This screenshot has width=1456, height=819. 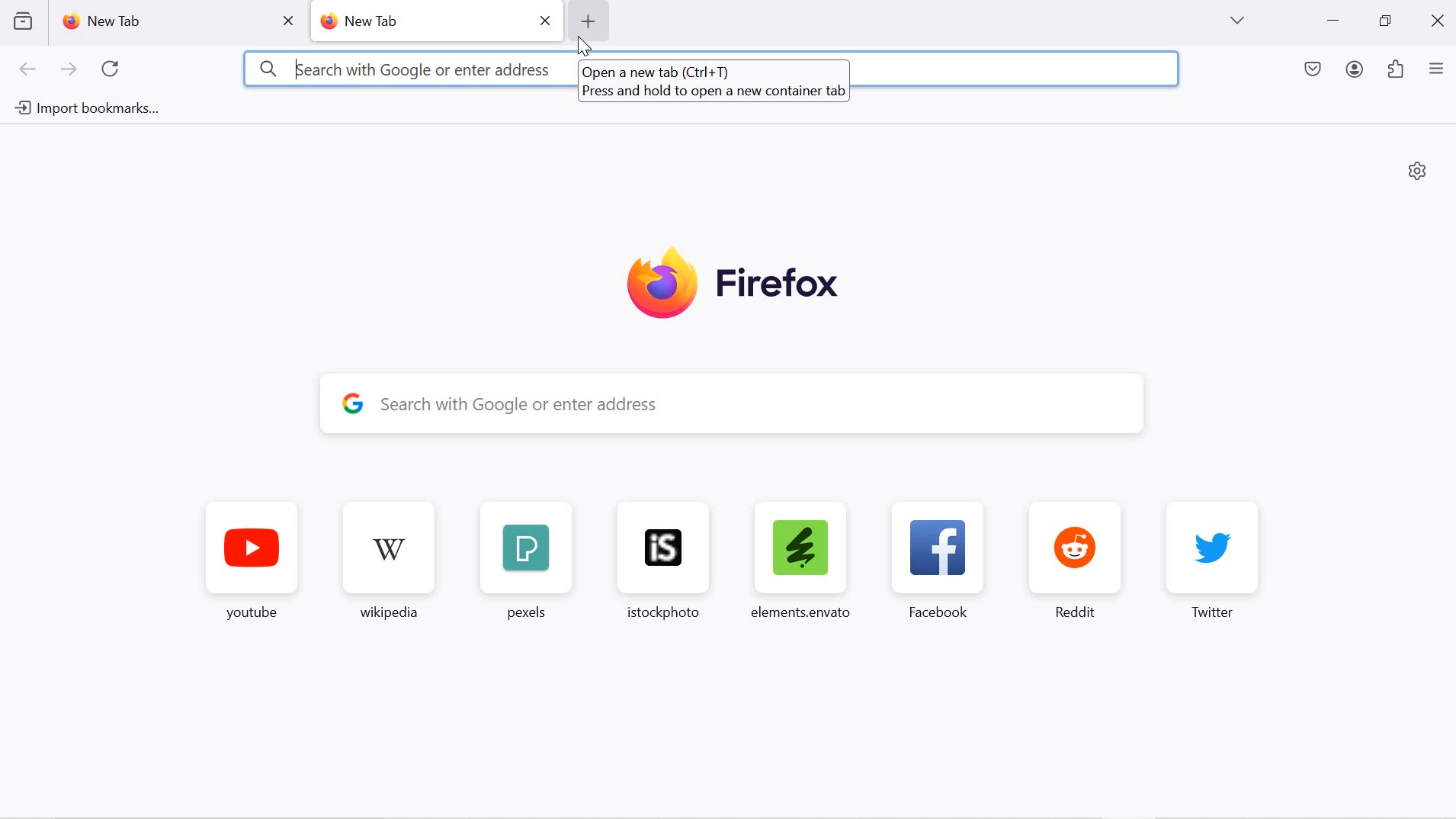 What do you see at coordinates (1333, 22) in the screenshot?
I see `minimize` at bounding box center [1333, 22].